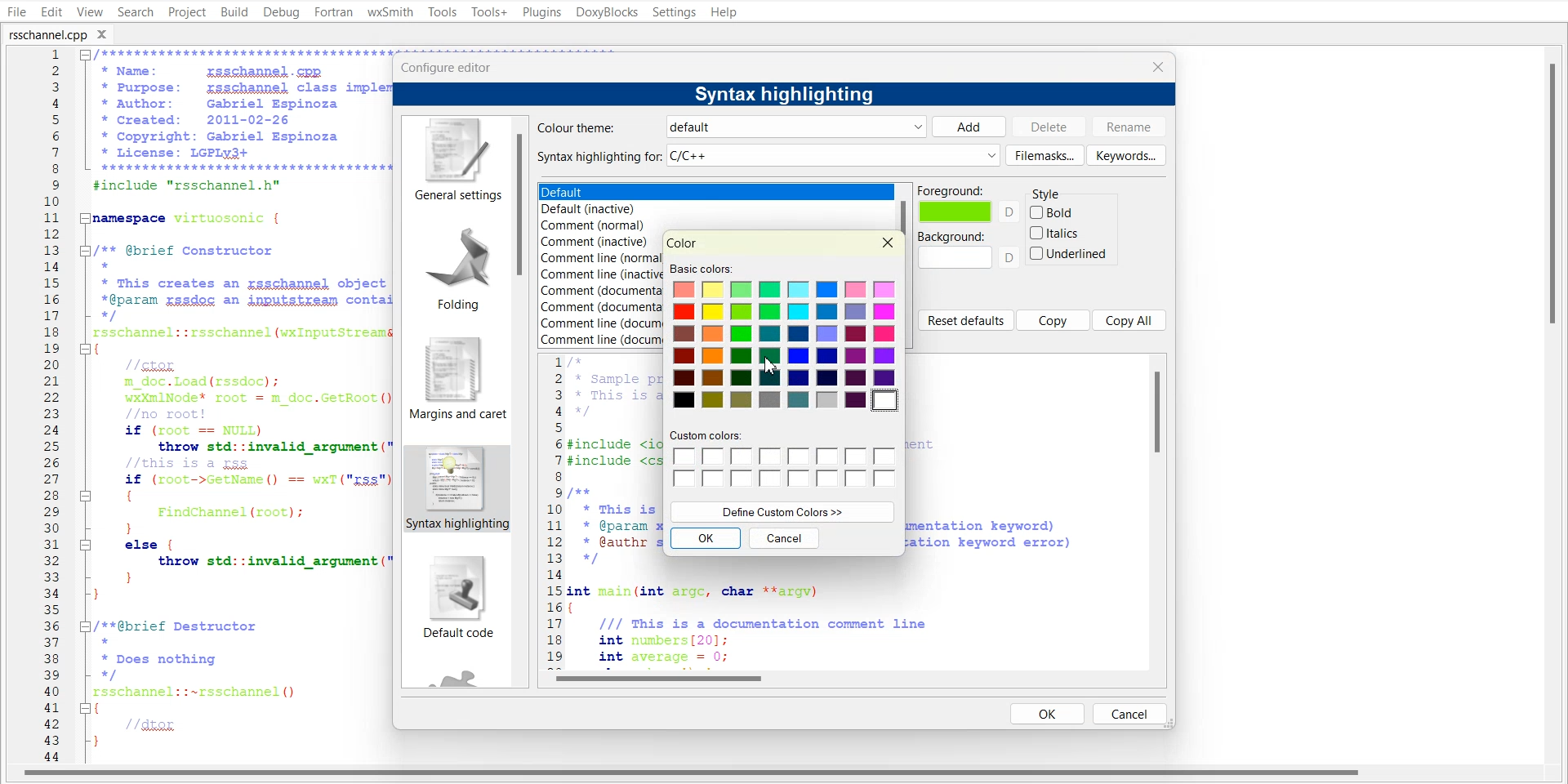 The height and width of the screenshot is (784, 1568). What do you see at coordinates (969, 204) in the screenshot?
I see `Foreground` at bounding box center [969, 204].